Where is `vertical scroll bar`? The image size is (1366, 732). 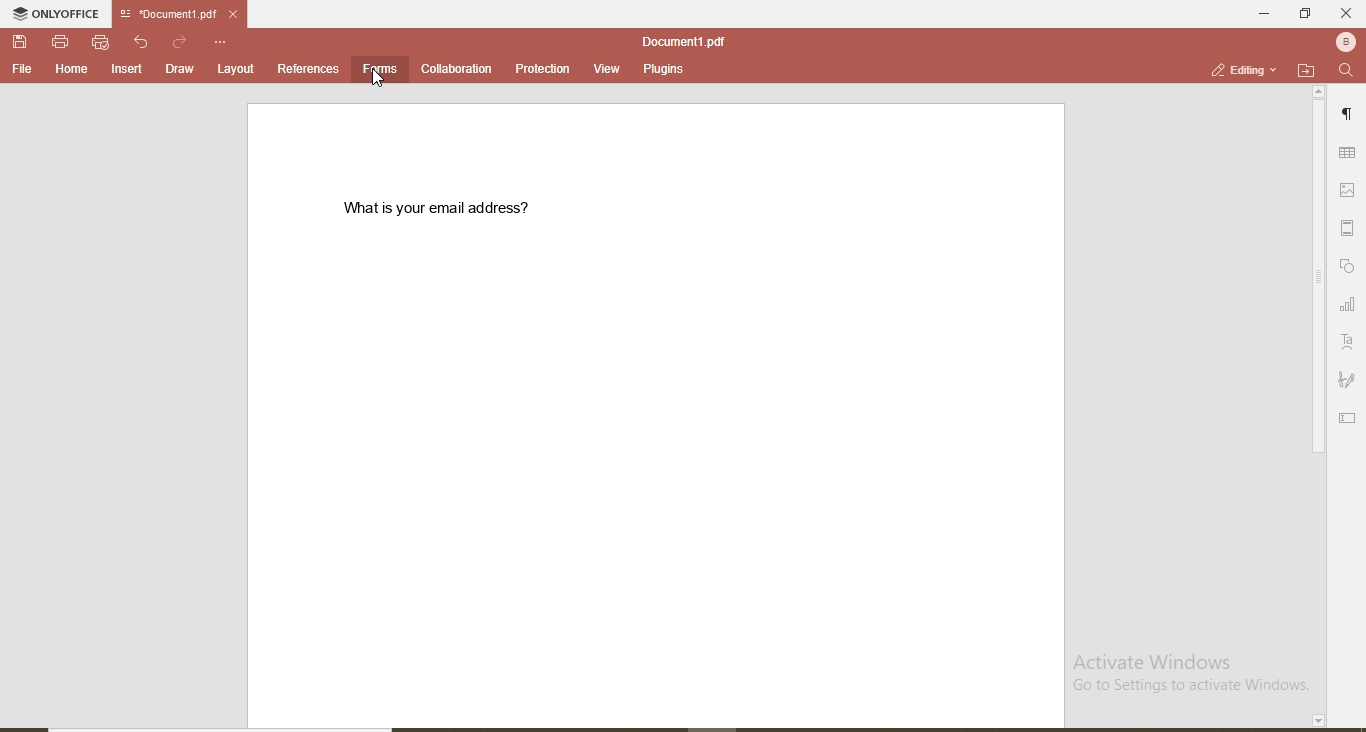 vertical scroll bar is located at coordinates (1316, 280).